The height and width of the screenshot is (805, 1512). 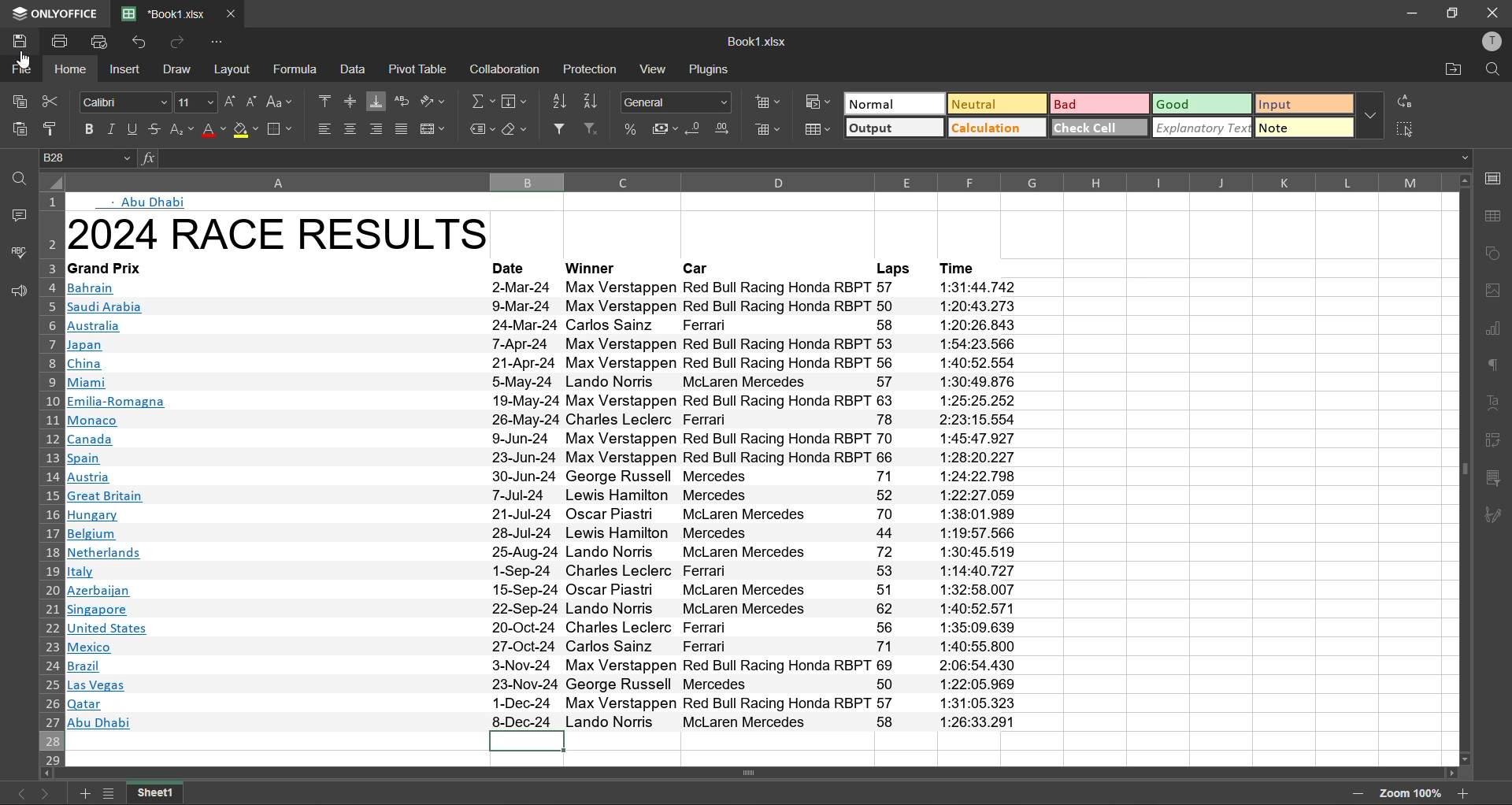 I want to click on maximize, so click(x=1451, y=13).